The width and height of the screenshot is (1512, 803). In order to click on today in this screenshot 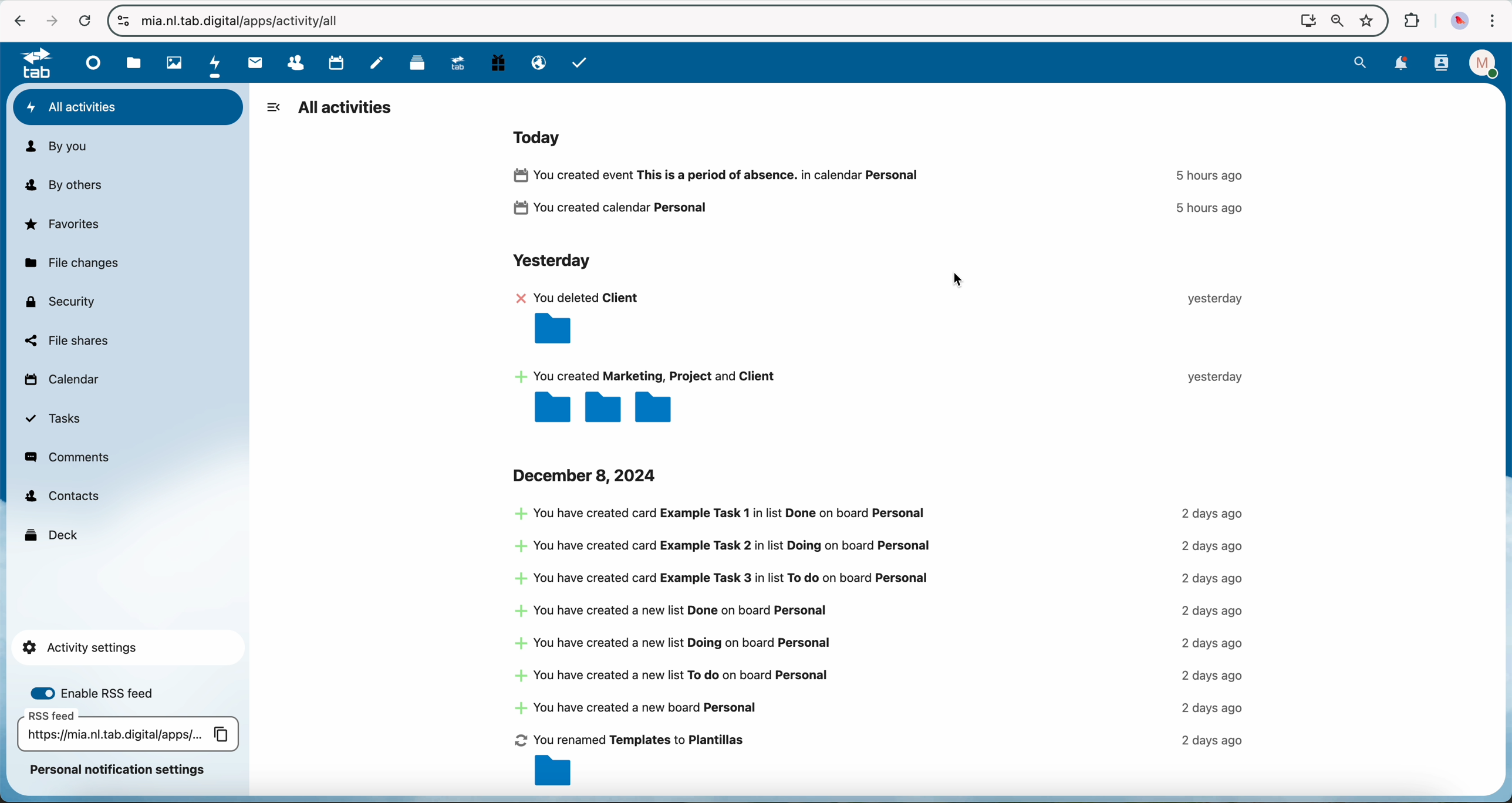, I will do `click(541, 136)`.